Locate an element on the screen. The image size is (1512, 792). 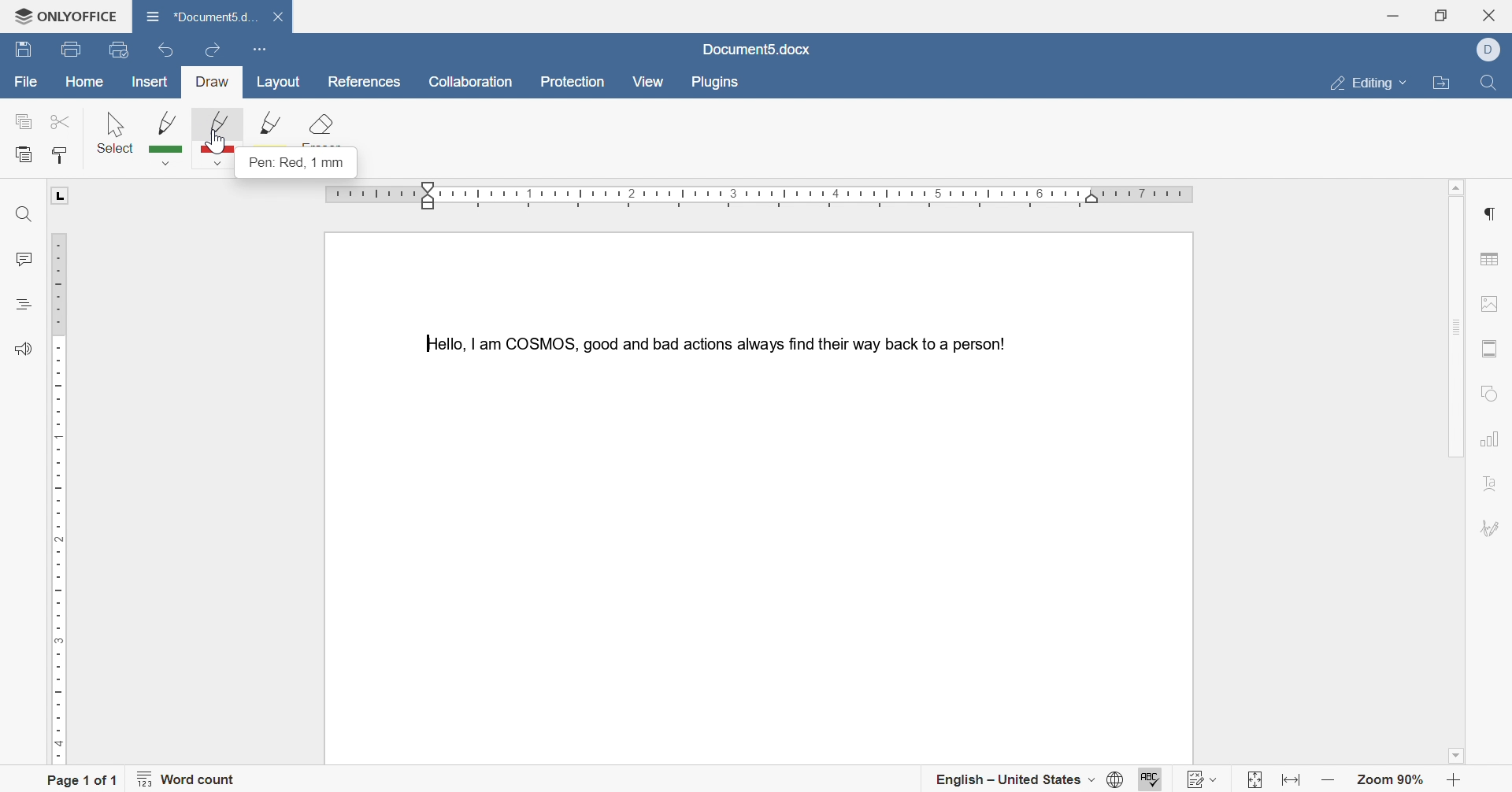
english - united states is located at coordinates (1014, 783).